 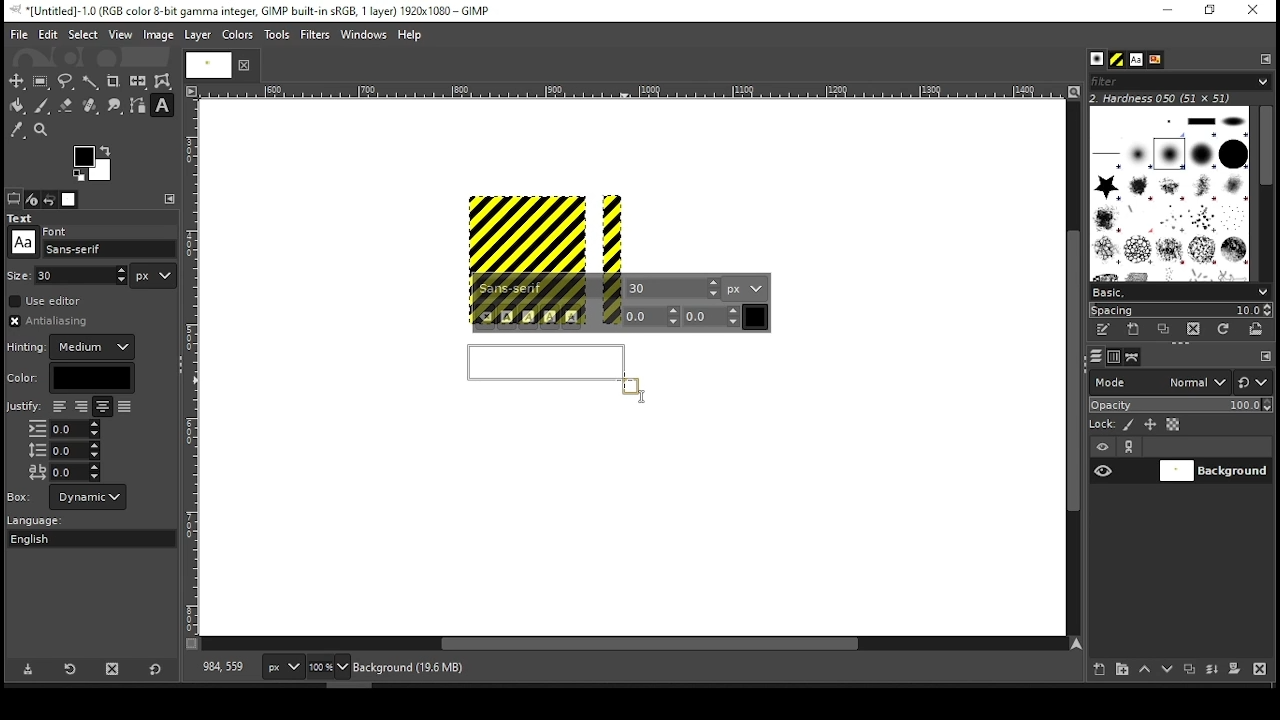 I want to click on select brush preset, so click(x=1182, y=291).